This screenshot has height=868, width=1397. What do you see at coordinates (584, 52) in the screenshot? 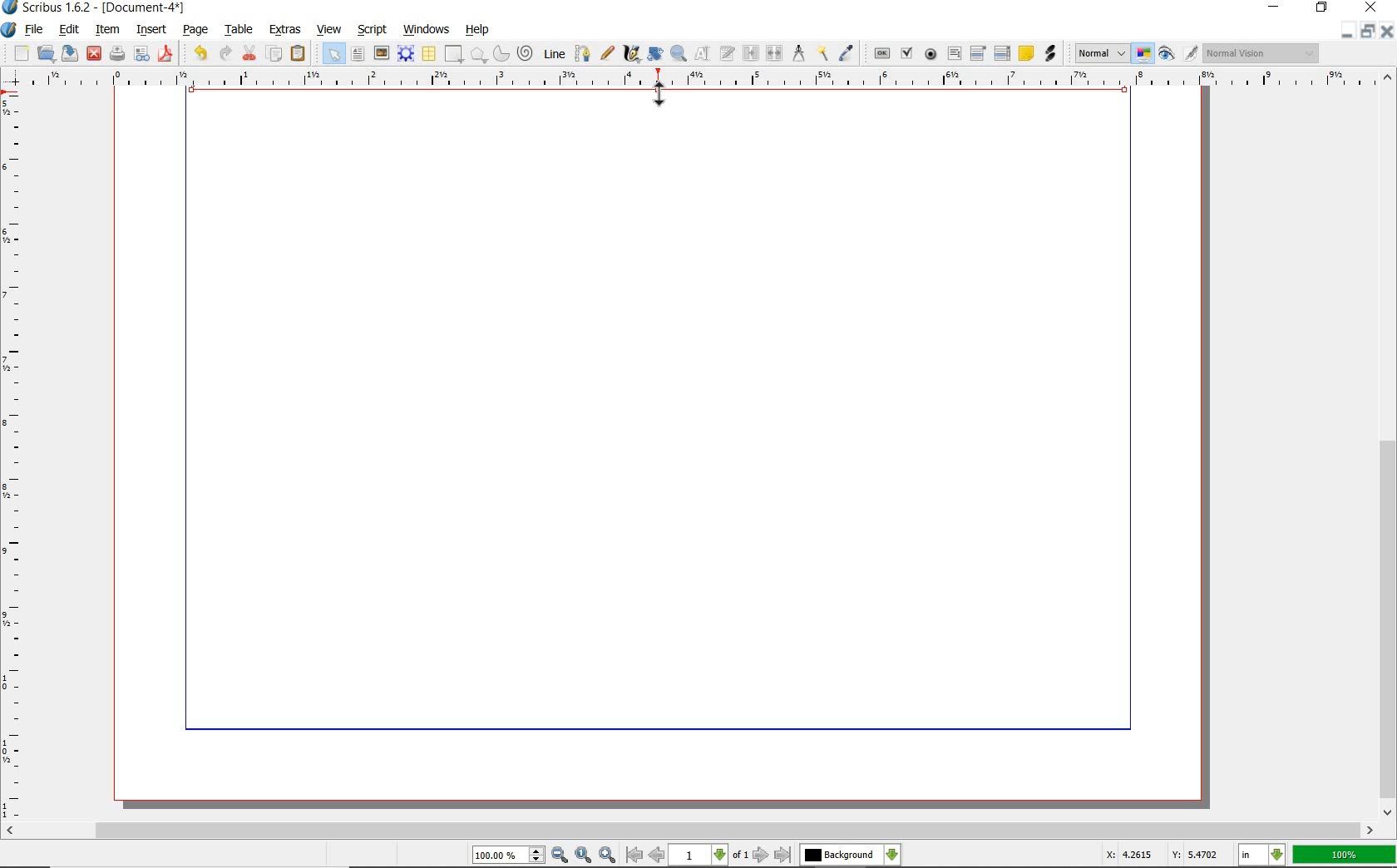
I see `Bezier curve` at bounding box center [584, 52].